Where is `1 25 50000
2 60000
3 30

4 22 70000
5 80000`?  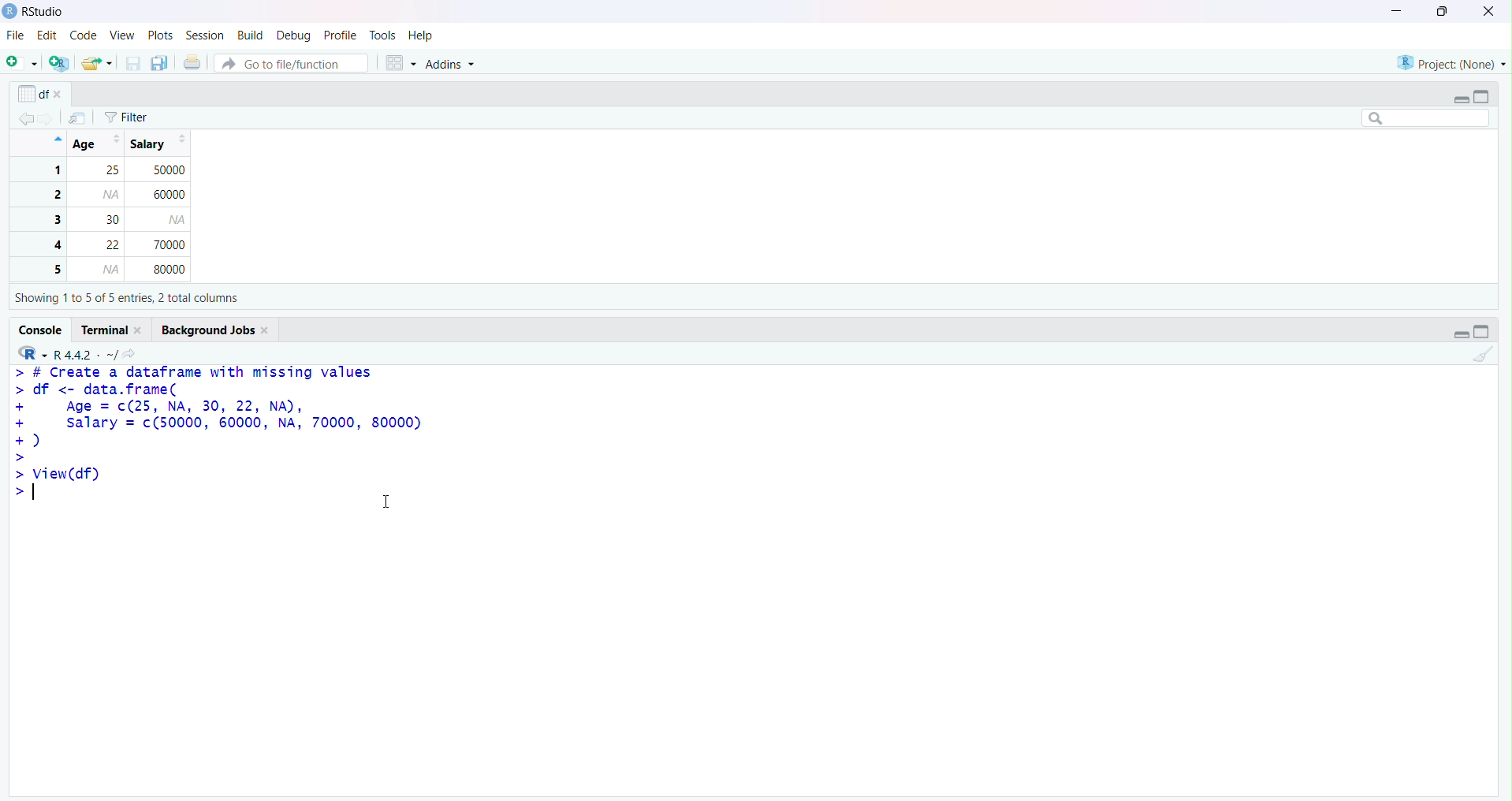
1 25 50000
2 60000
3 30

4 22 70000
5 80000 is located at coordinates (114, 221).